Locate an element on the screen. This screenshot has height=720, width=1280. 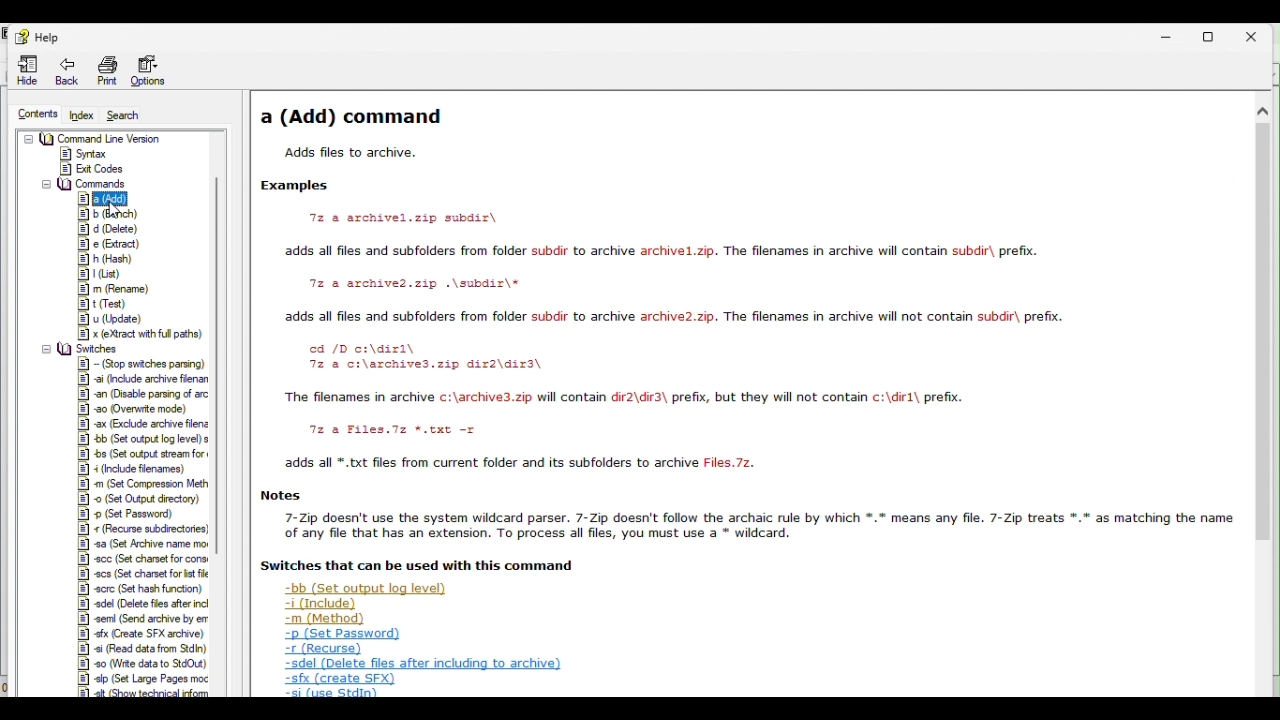
l is located at coordinates (104, 274).